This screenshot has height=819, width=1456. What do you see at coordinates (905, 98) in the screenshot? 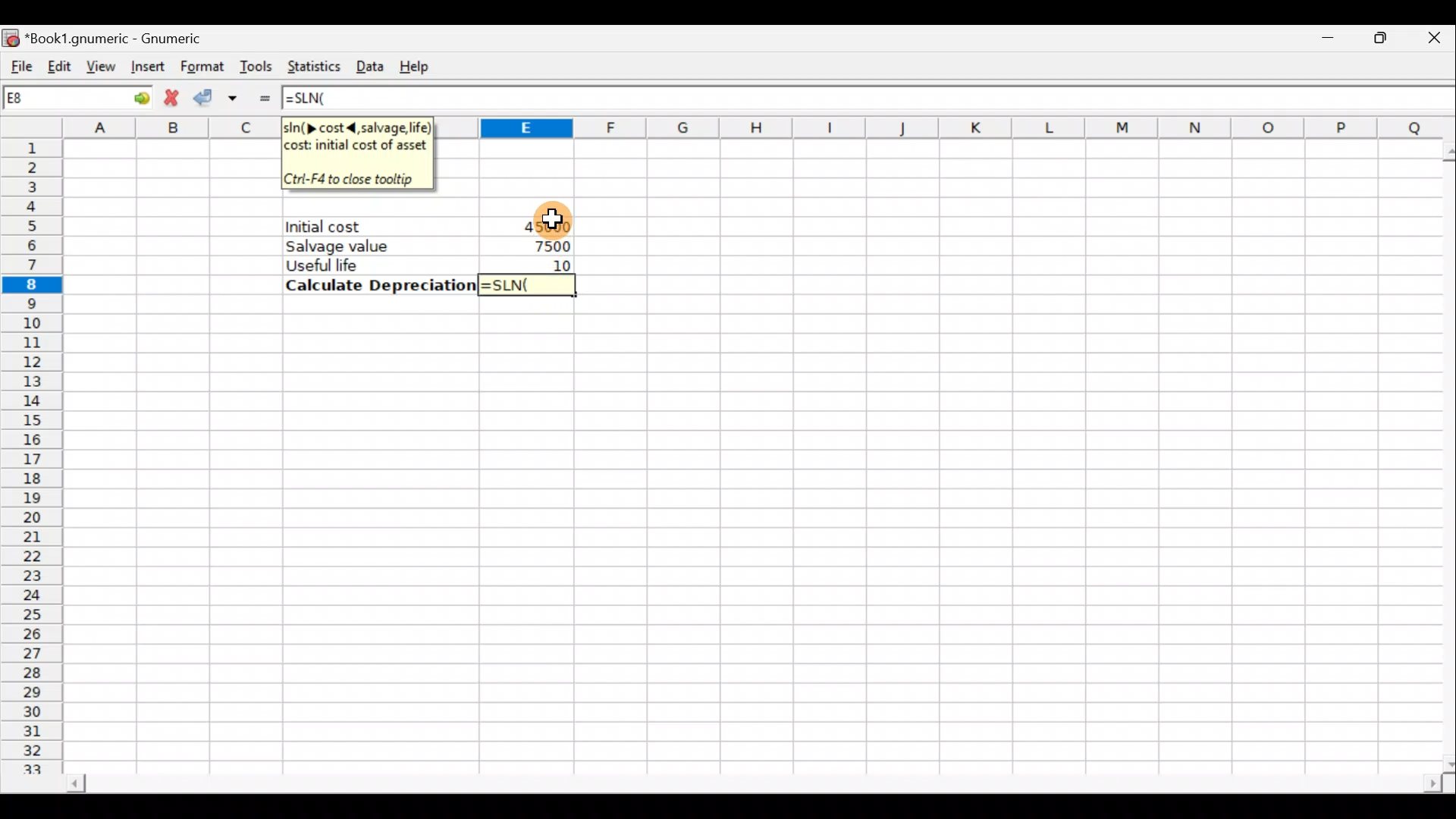
I see `Formula bar` at bounding box center [905, 98].